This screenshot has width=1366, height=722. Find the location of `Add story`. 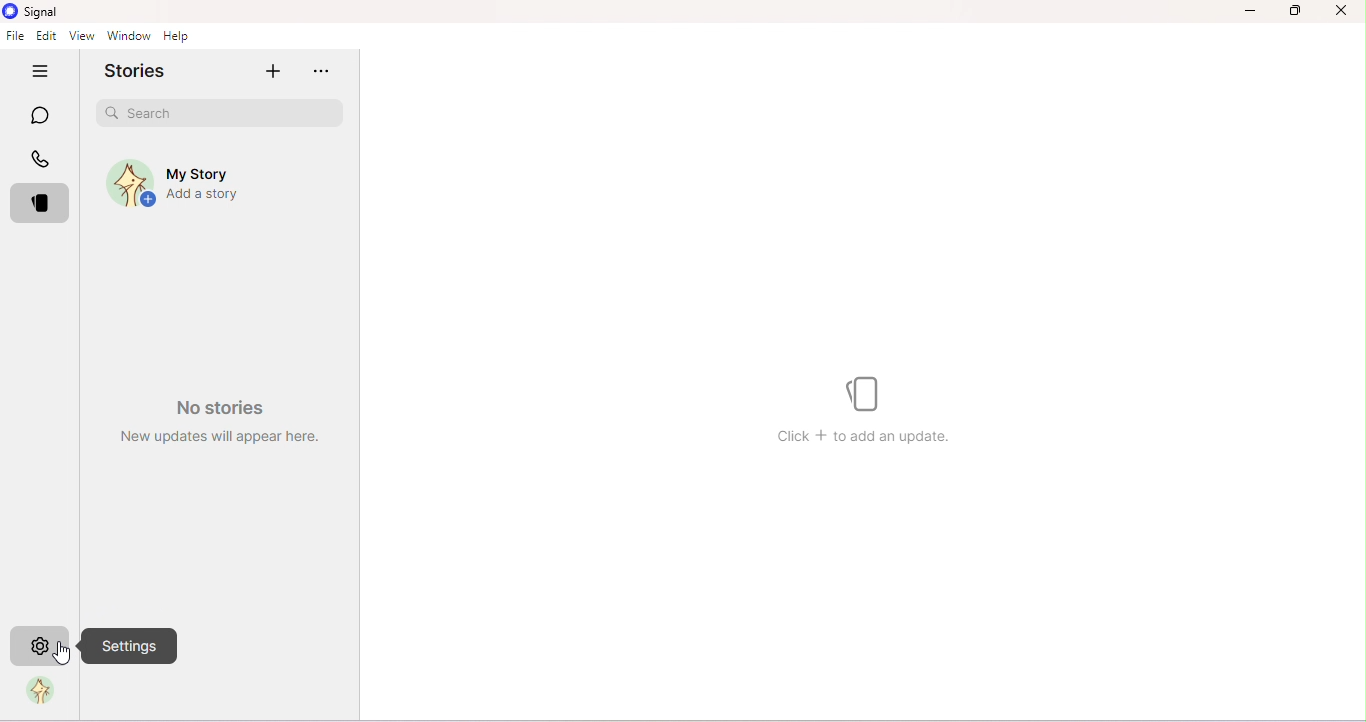

Add story is located at coordinates (277, 72).